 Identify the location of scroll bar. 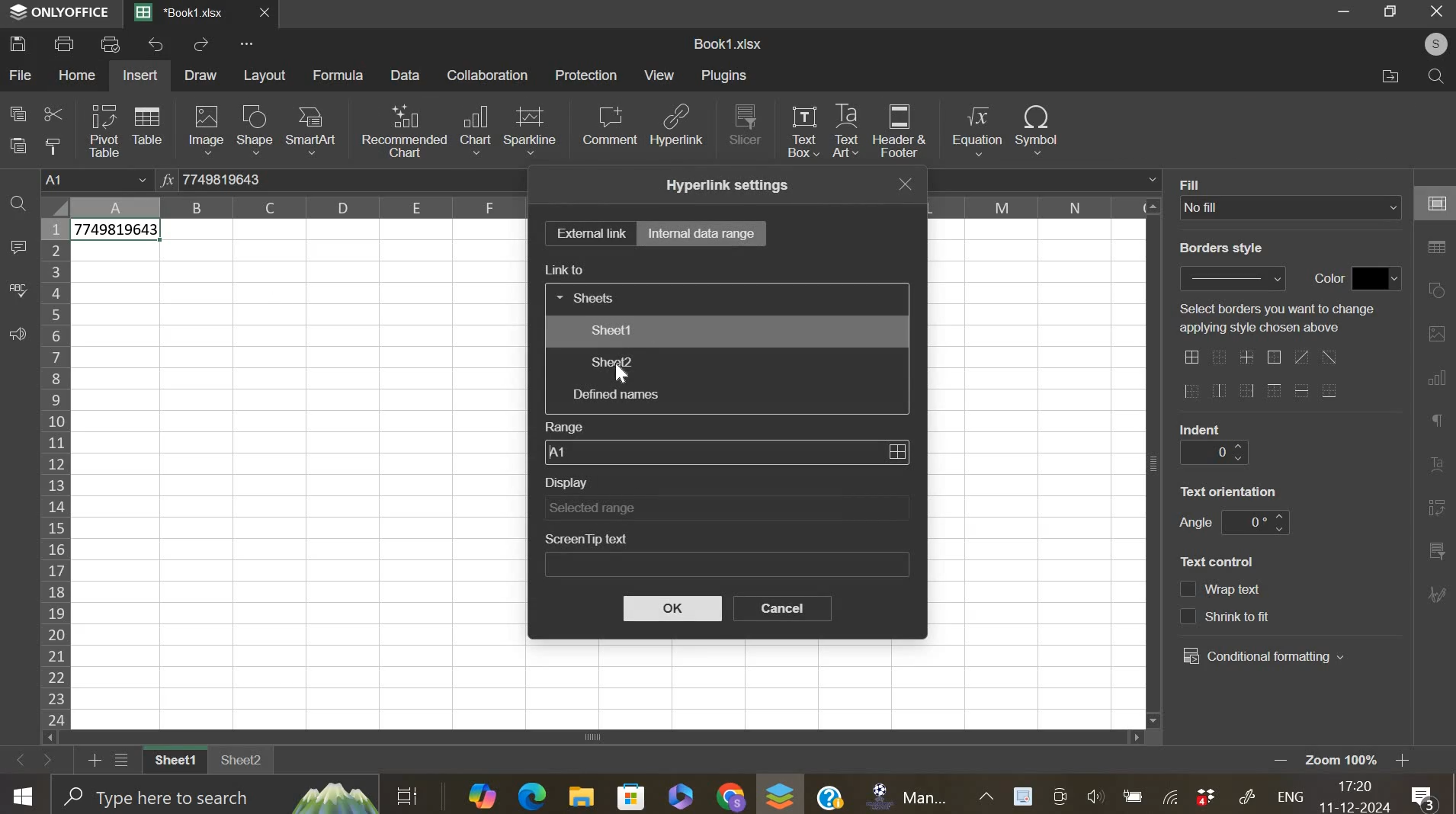
(601, 738).